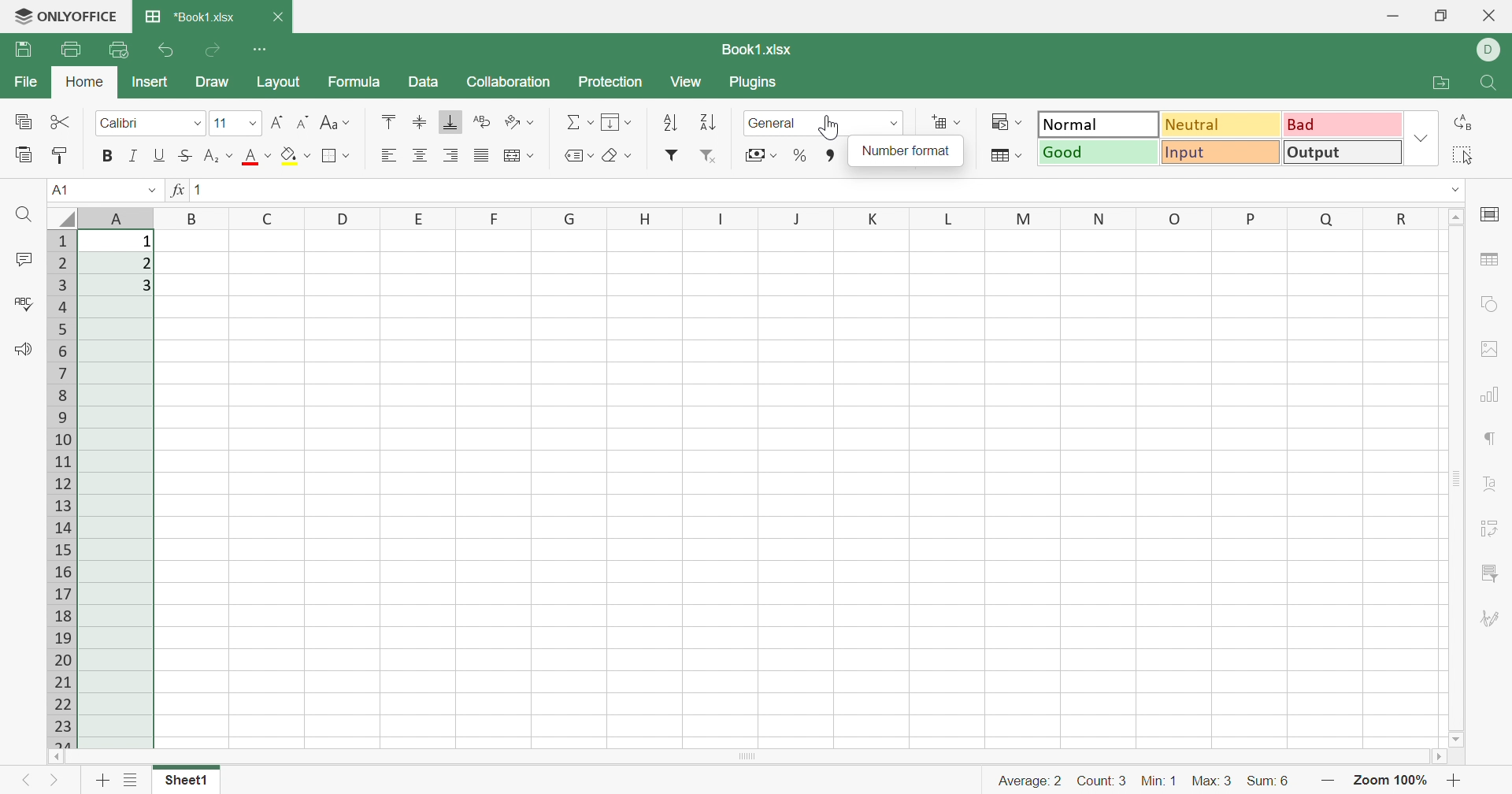  I want to click on fx, so click(176, 190).